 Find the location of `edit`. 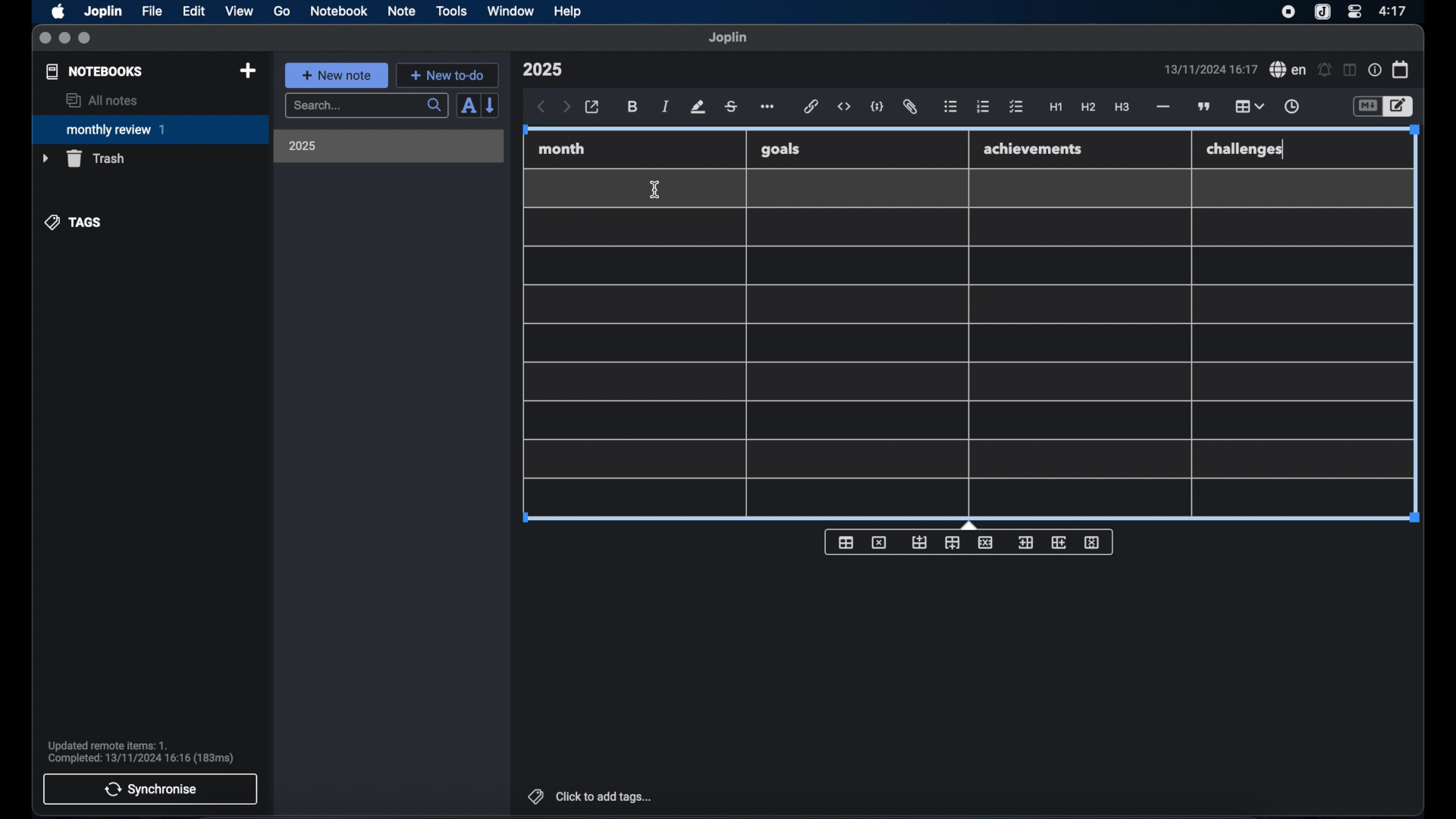

edit is located at coordinates (195, 11).